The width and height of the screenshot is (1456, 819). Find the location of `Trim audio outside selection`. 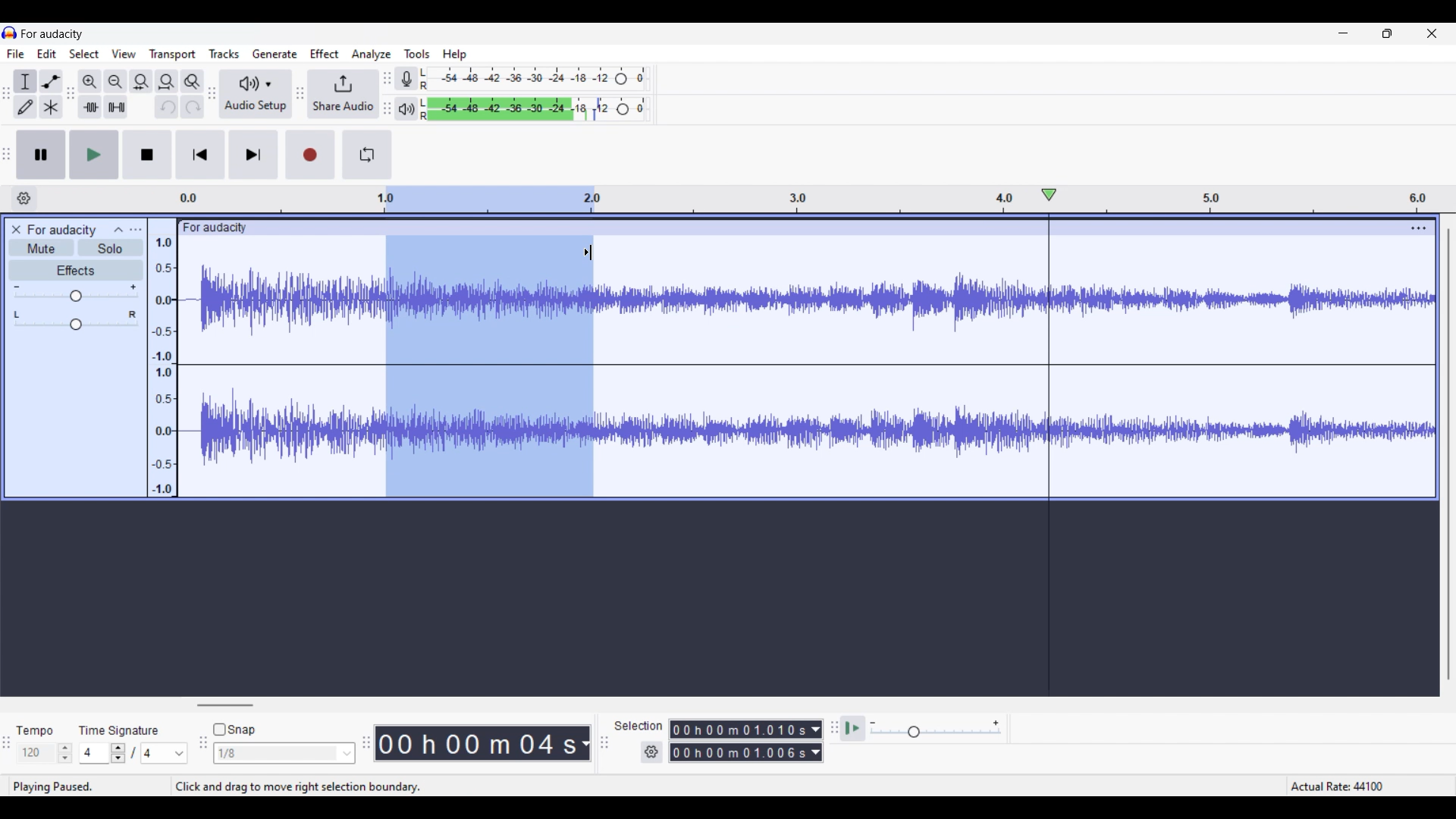

Trim audio outside selection is located at coordinates (90, 107).